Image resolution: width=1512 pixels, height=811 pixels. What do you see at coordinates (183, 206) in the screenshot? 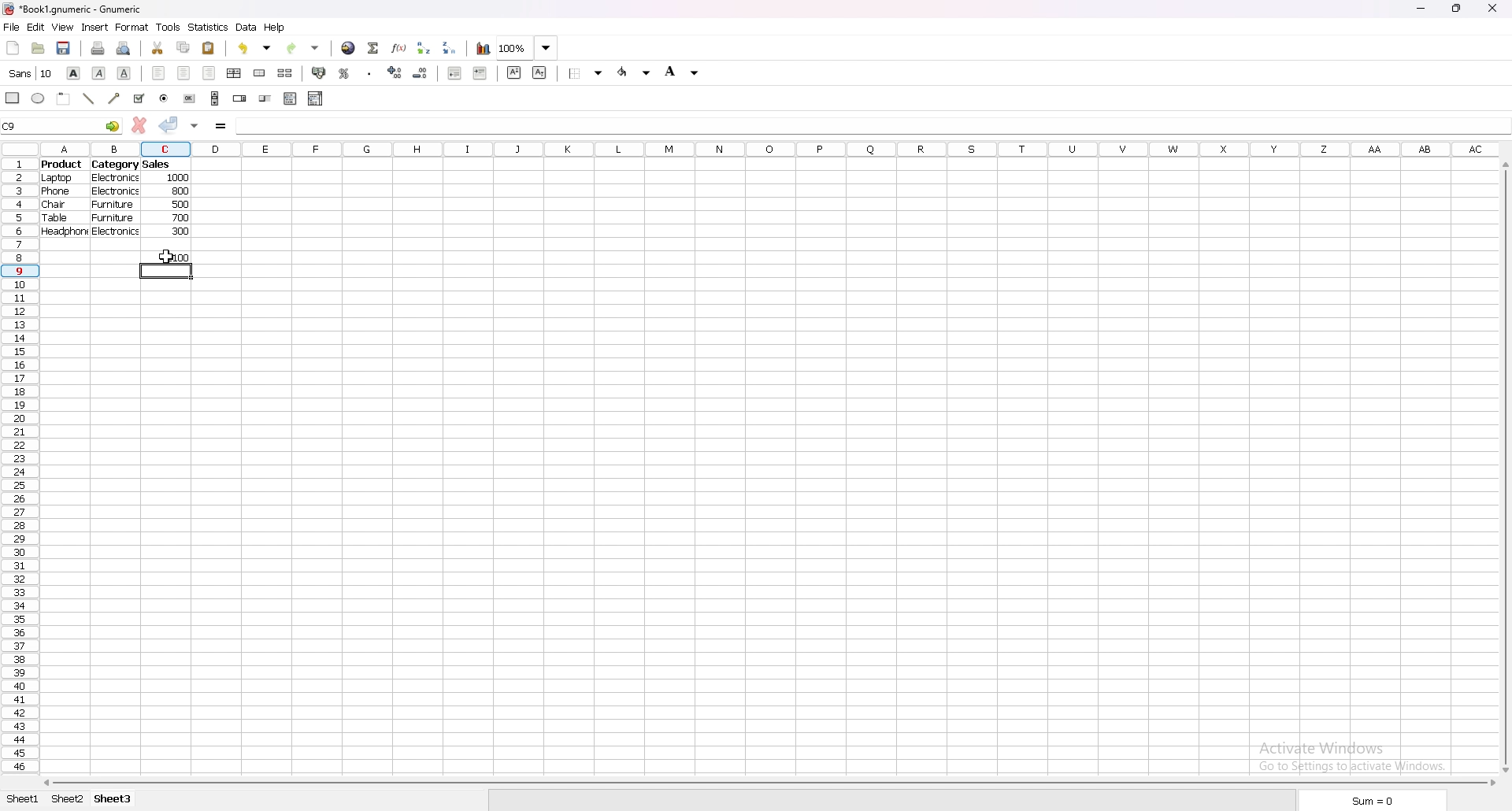
I see `500` at bounding box center [183, 206].